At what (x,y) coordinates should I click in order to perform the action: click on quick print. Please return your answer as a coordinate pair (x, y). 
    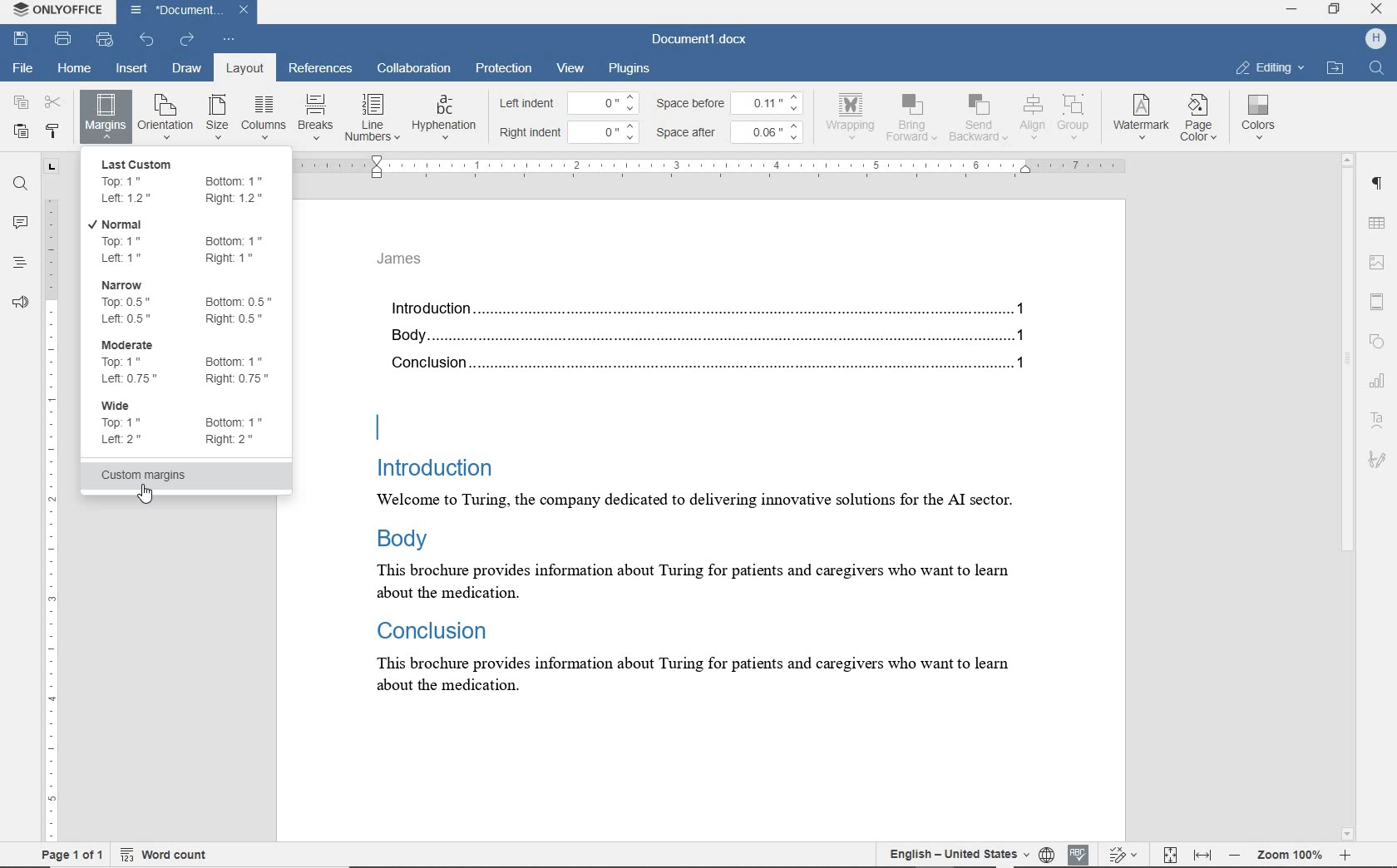
    Looking at the image, I should click on (106, 42).